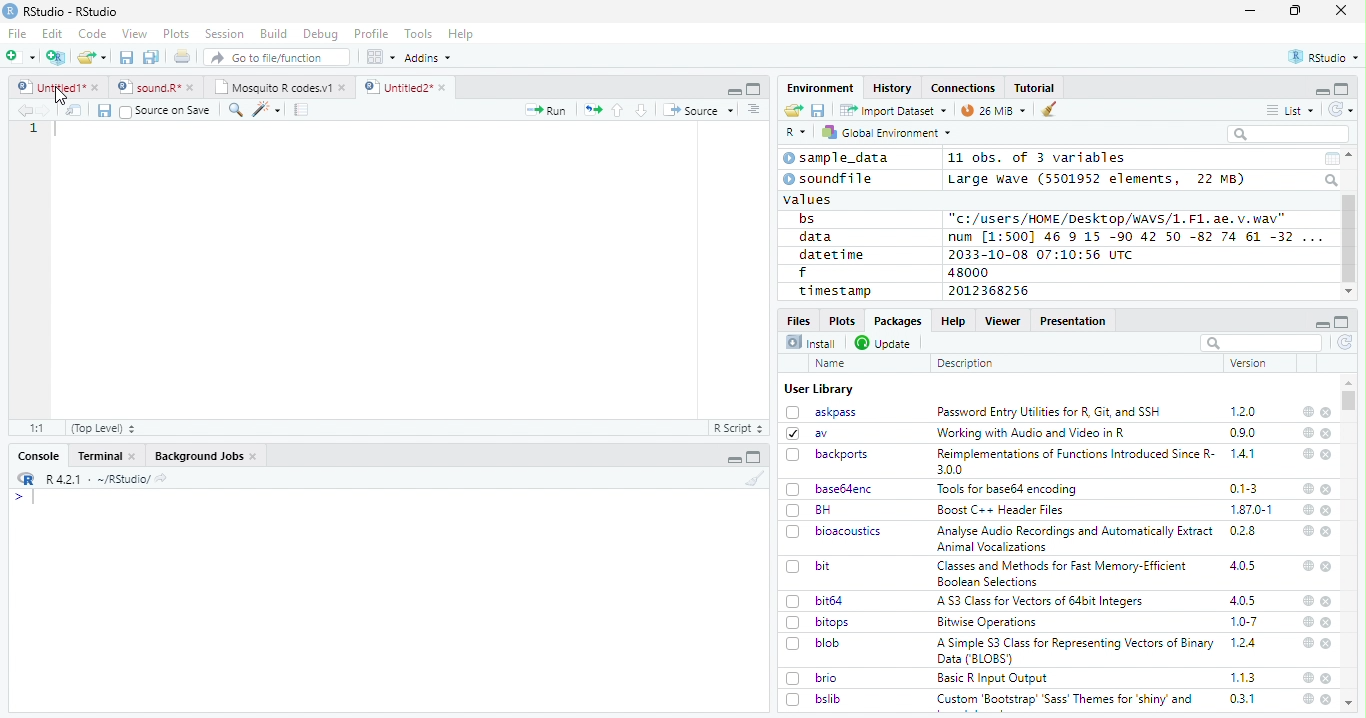  I want to click on 11 obs. of 3 variables, so click(1038, 159).